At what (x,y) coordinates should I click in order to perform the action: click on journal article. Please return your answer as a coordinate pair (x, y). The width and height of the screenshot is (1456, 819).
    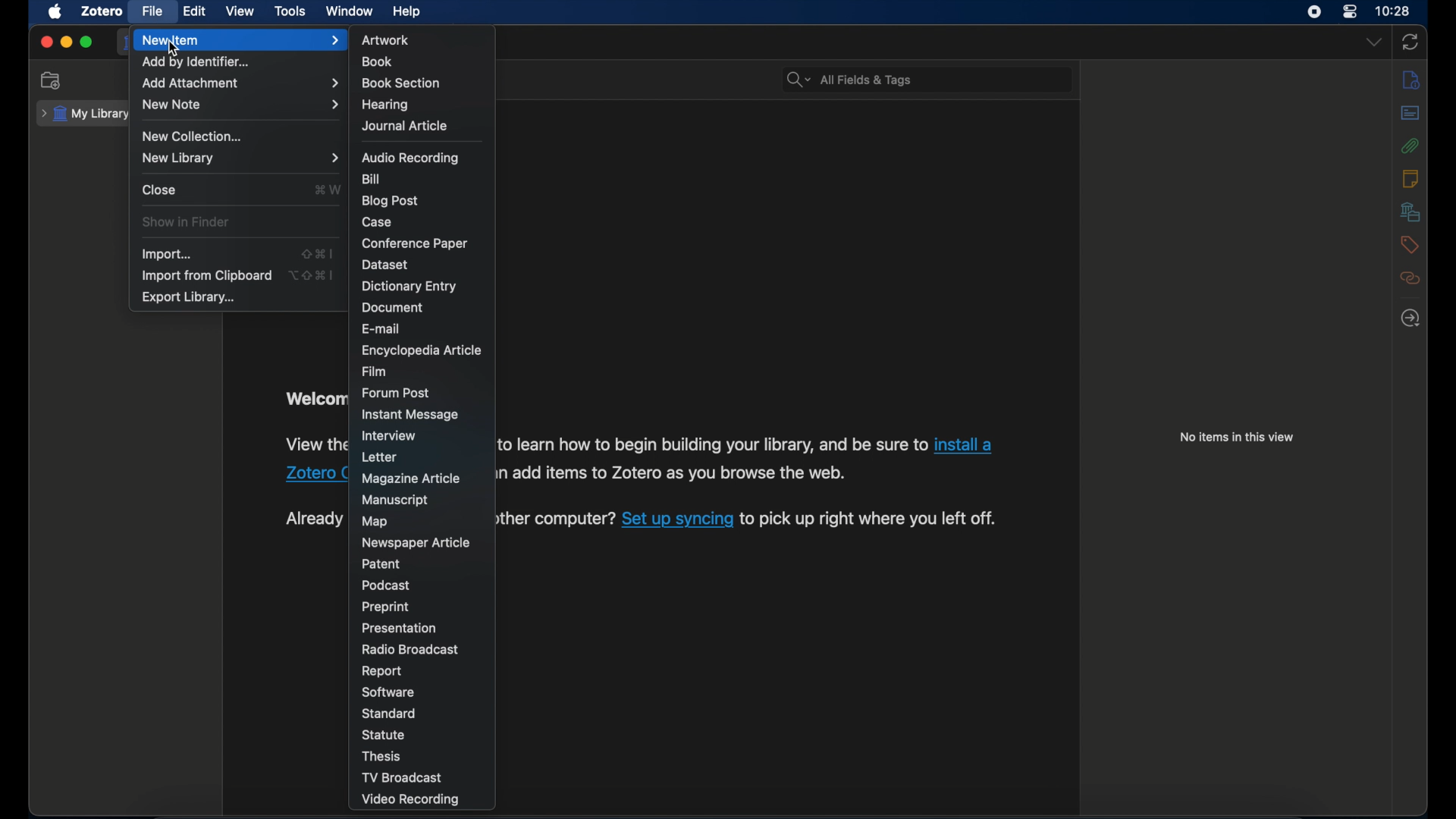
    Looking at the image, I should click on (404, 126).